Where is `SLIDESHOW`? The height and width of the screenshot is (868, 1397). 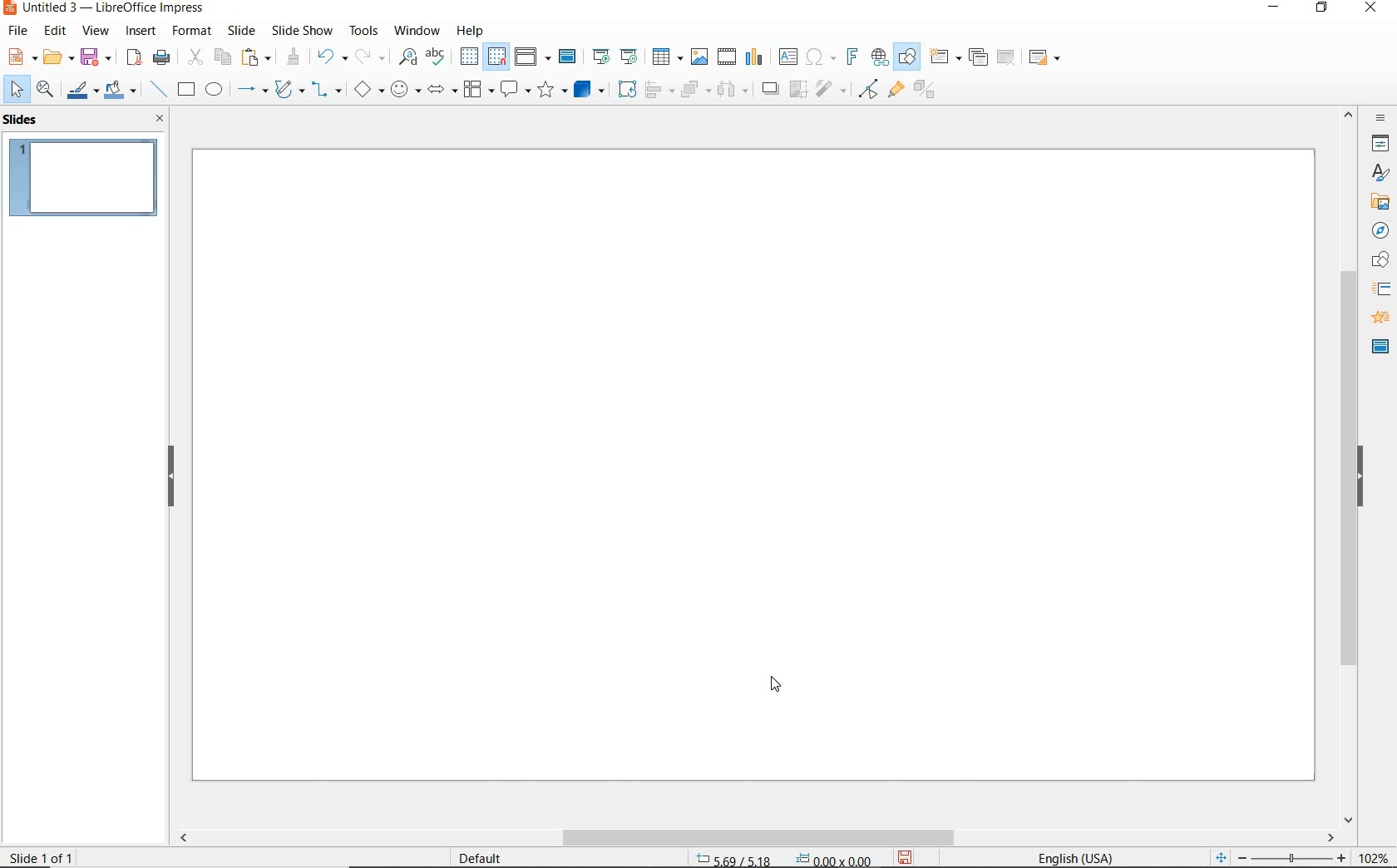
SLIDESHOW is located at coordinates (303, 31).